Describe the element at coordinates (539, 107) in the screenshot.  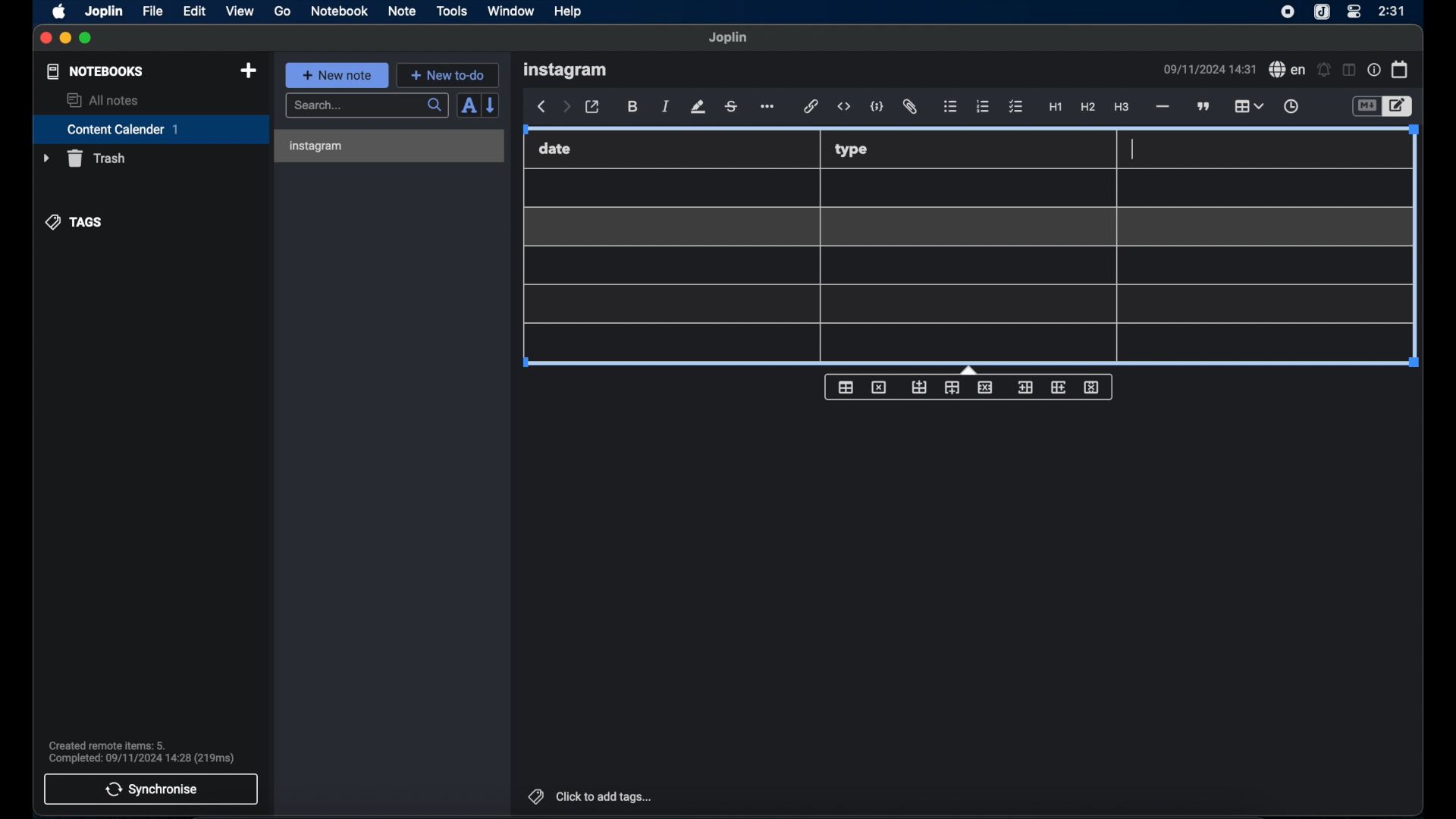
I see `back` at that location.